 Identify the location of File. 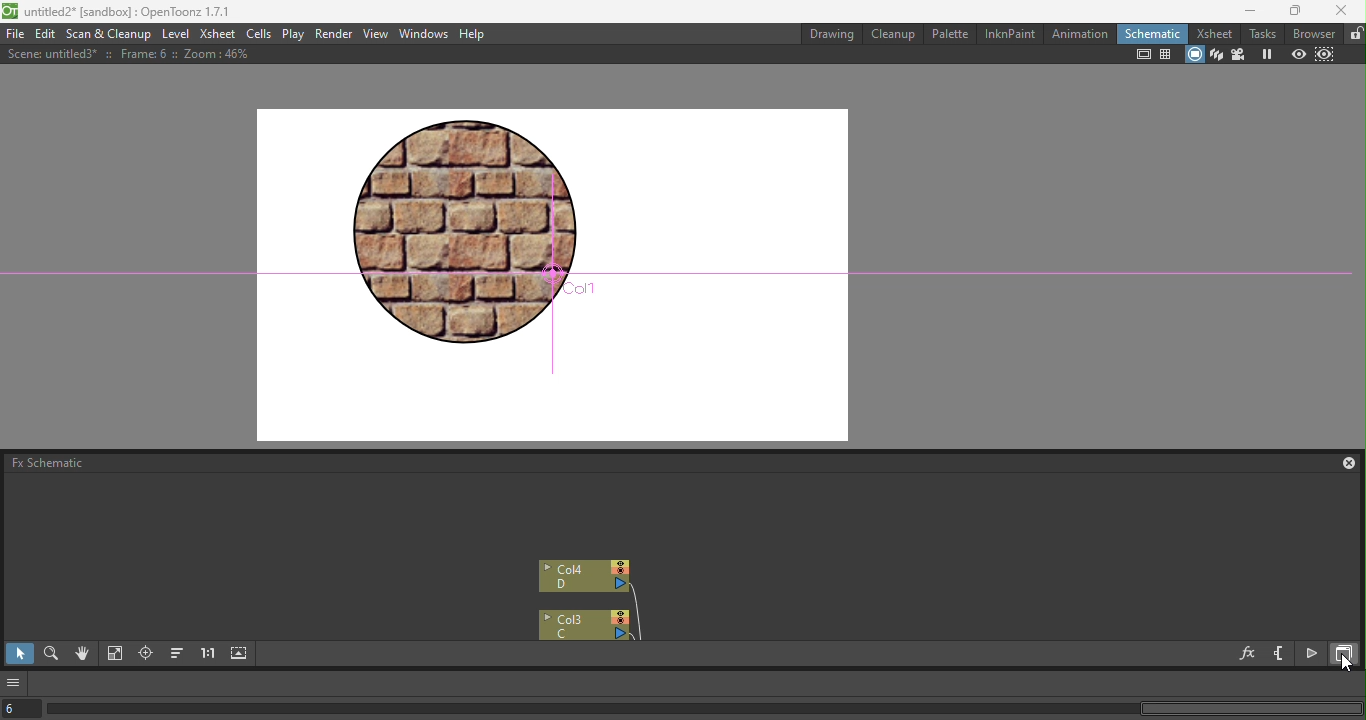
(15, 35).